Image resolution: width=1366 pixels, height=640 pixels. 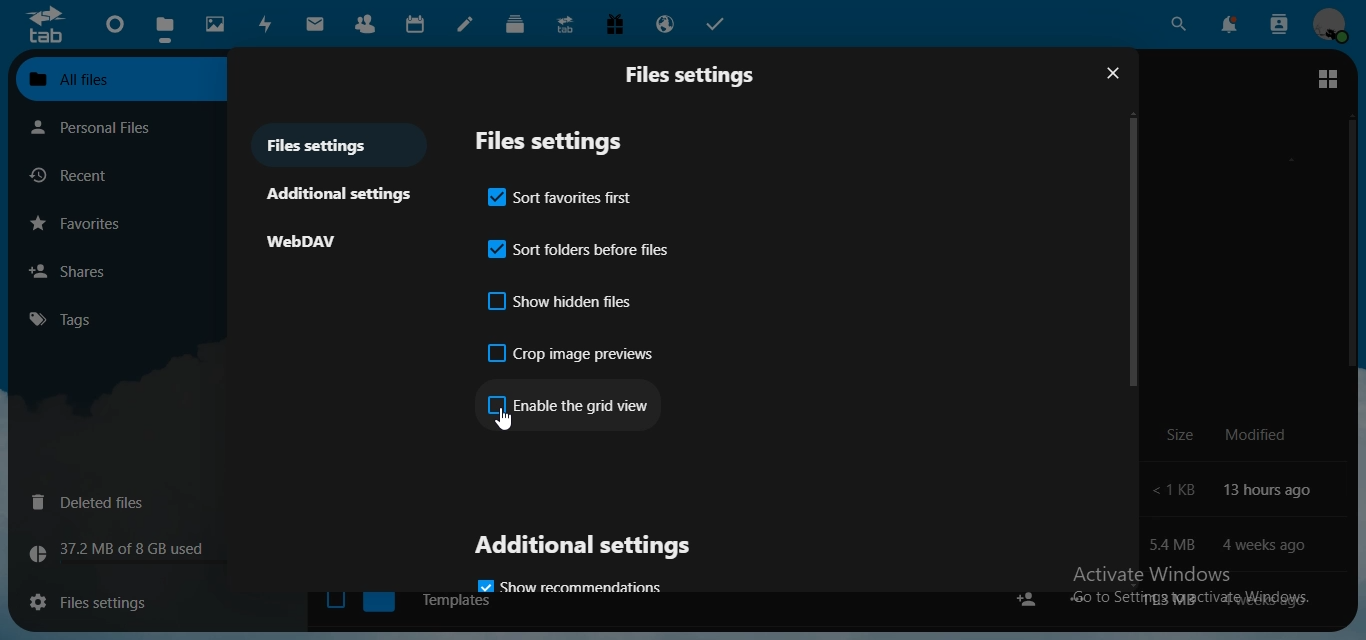 What do you see at coordinates (100, 503) in the screenshot?
I see `deleted files` at bounding box center [100, 503].